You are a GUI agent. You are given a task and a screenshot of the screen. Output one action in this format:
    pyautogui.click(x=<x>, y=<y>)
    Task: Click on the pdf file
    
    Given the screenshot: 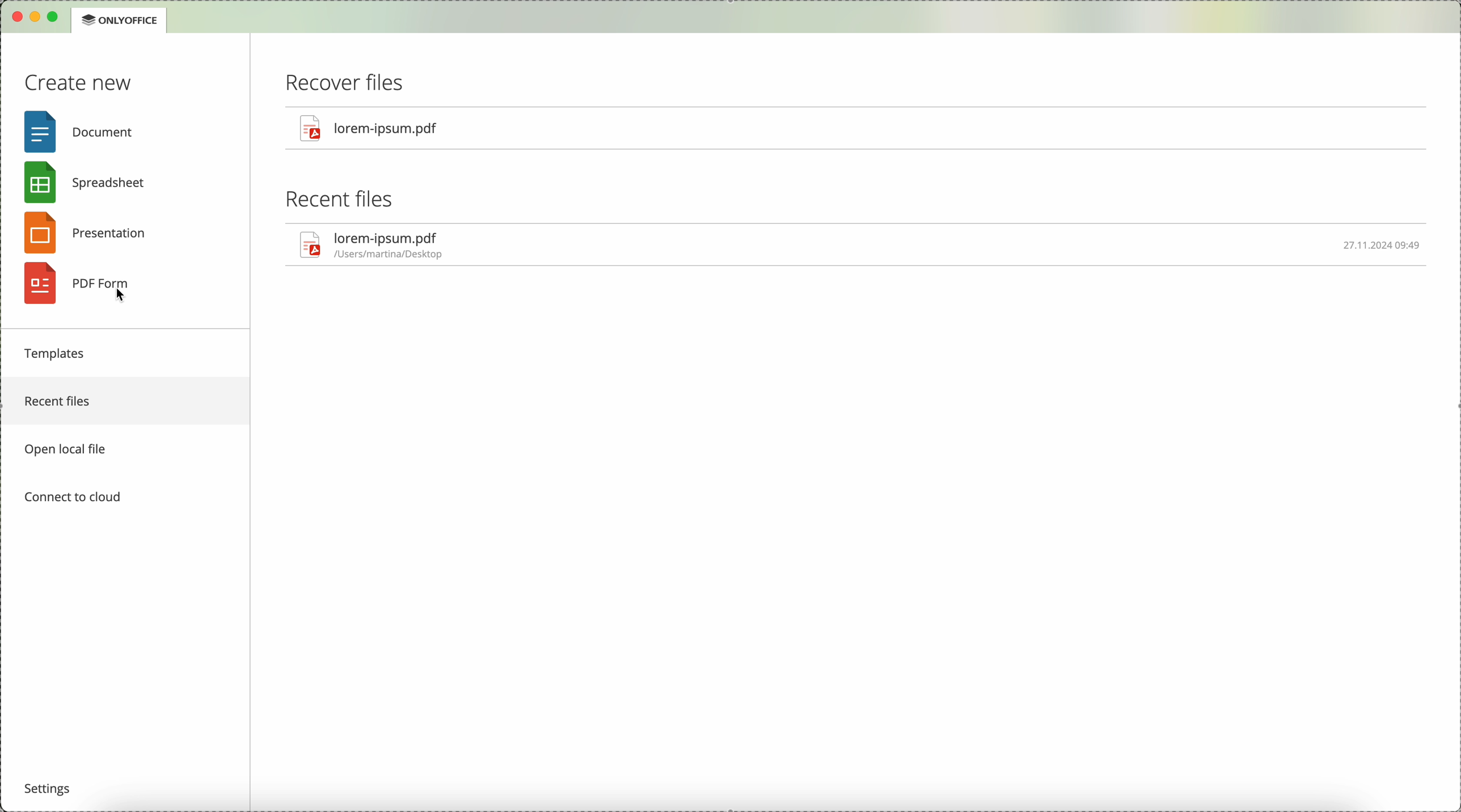 What is the action you would take?
    pyautogui.click(x=862, y=246)
    